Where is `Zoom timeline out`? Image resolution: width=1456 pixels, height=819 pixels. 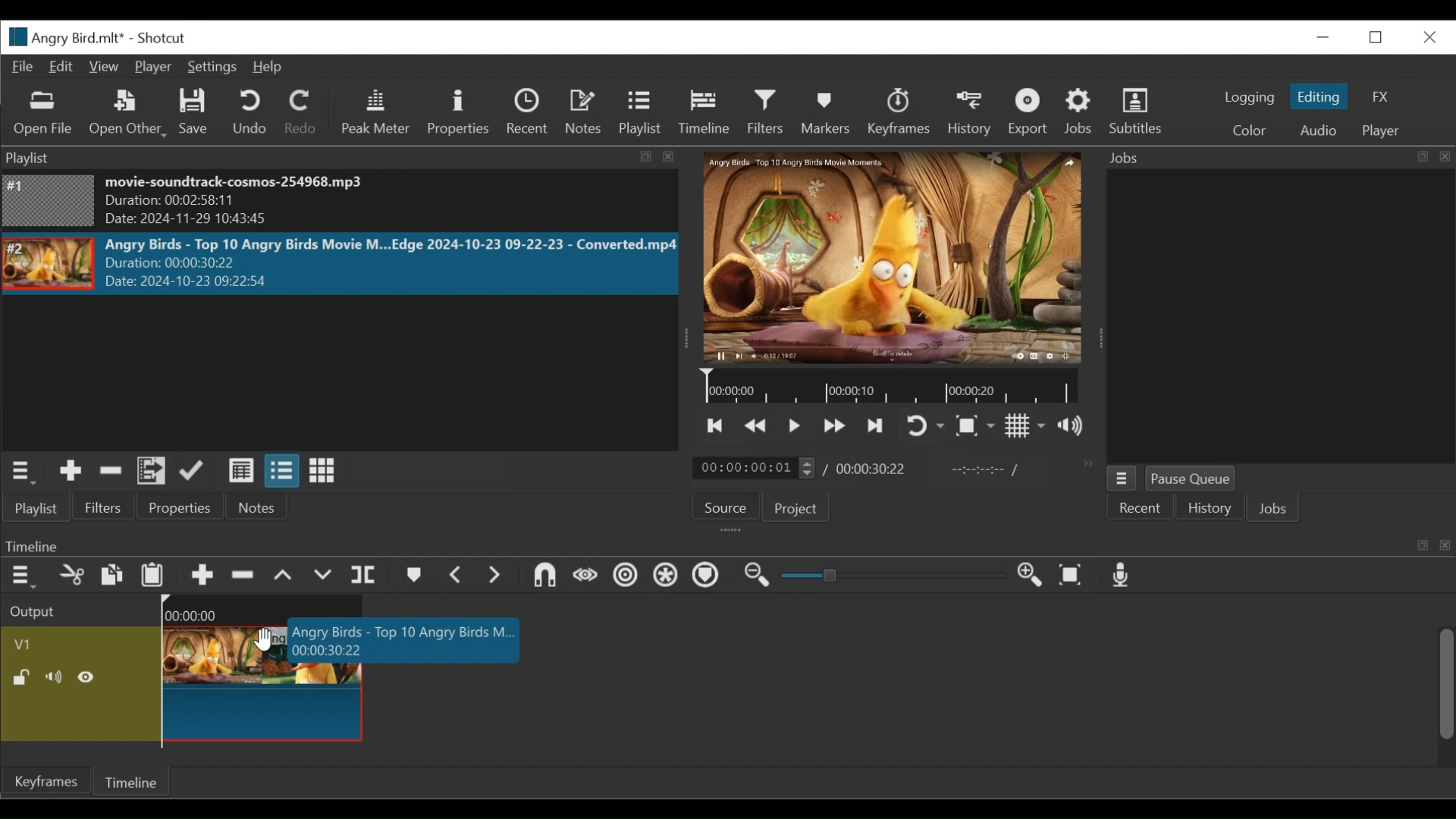 Zoom timeline out is located at coordinates (761, 576).